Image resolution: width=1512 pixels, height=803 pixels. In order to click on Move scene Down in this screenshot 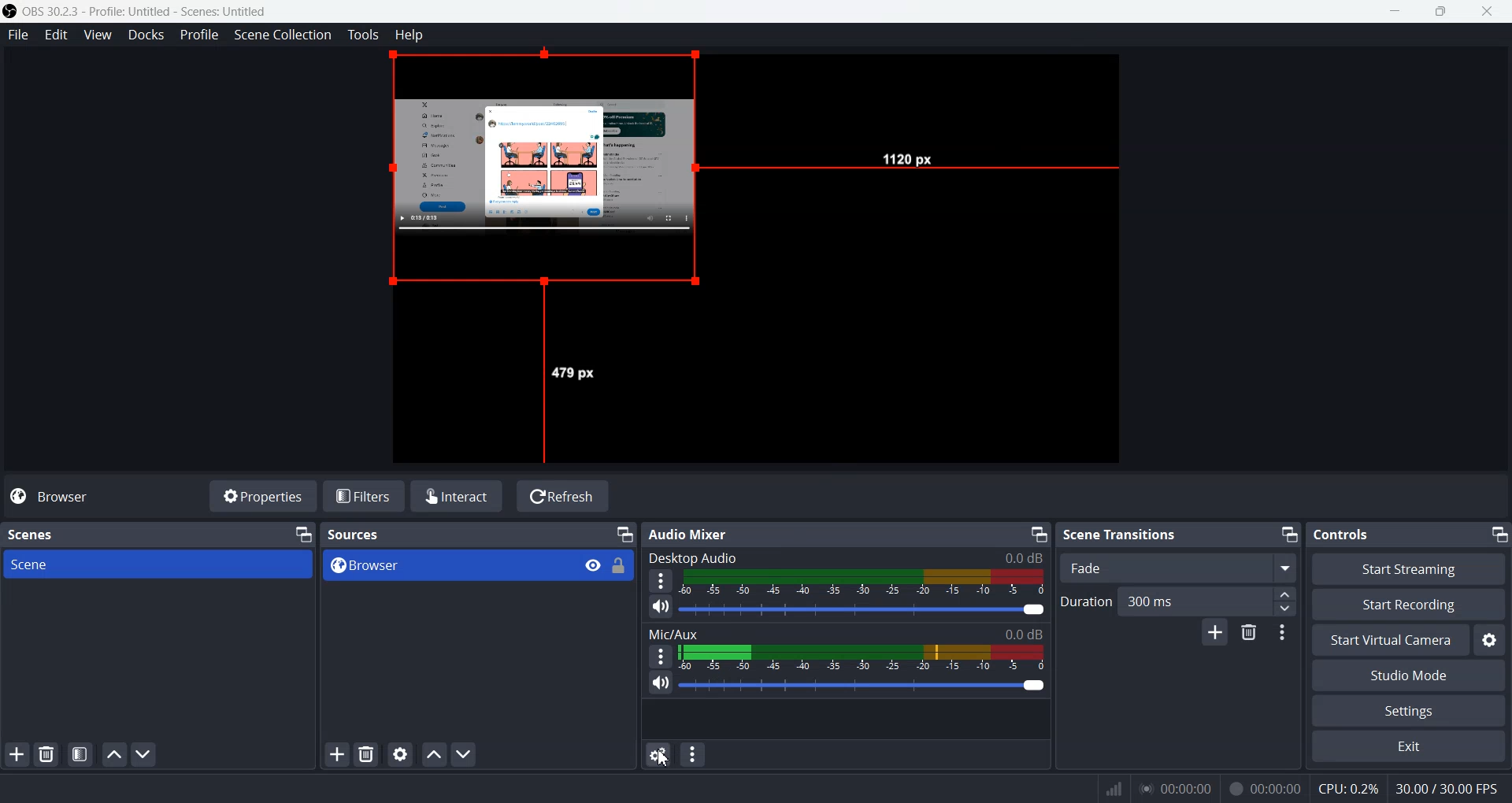, I will do `click(145, 755)`.